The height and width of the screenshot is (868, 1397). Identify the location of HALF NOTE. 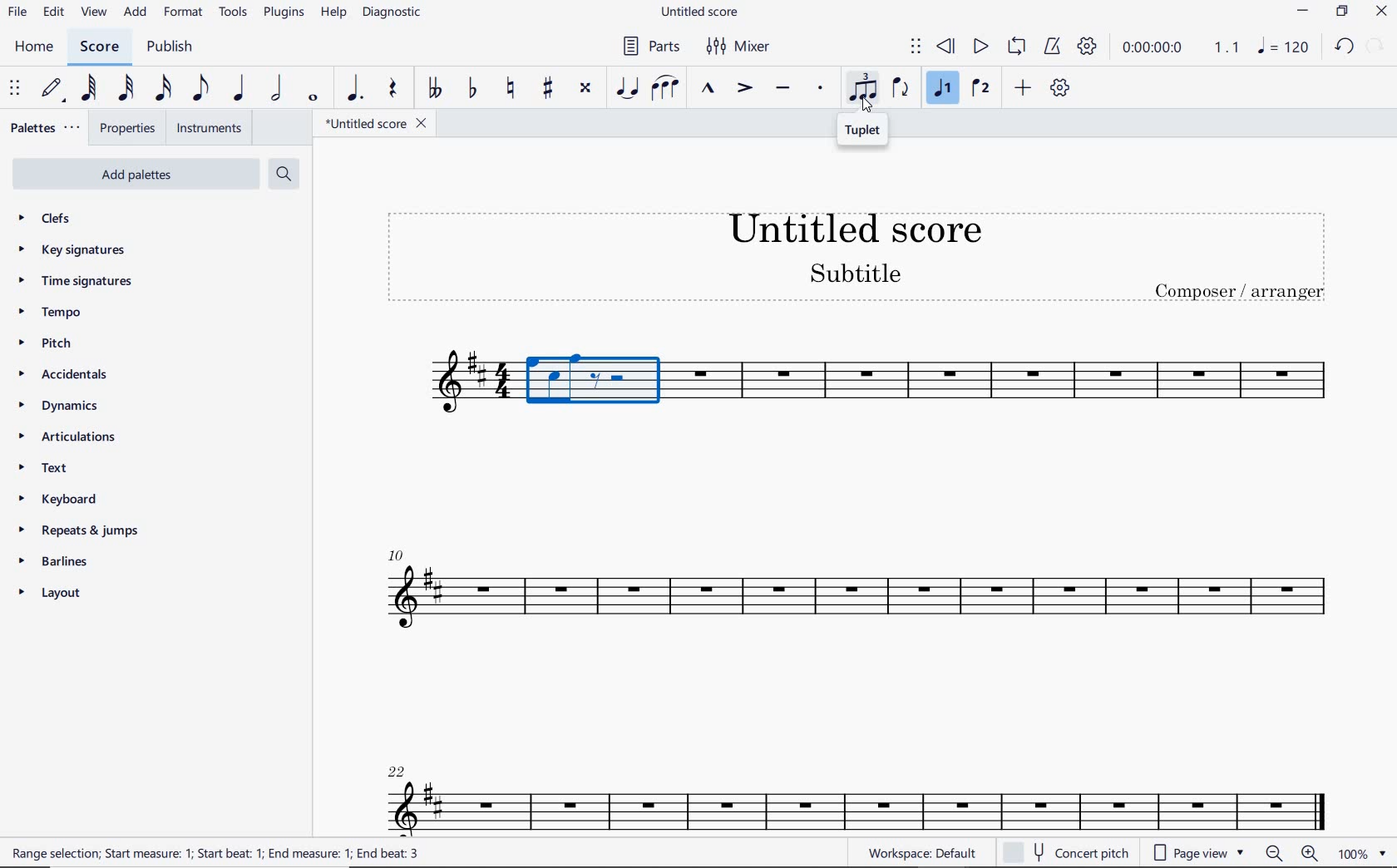
(277, 91).